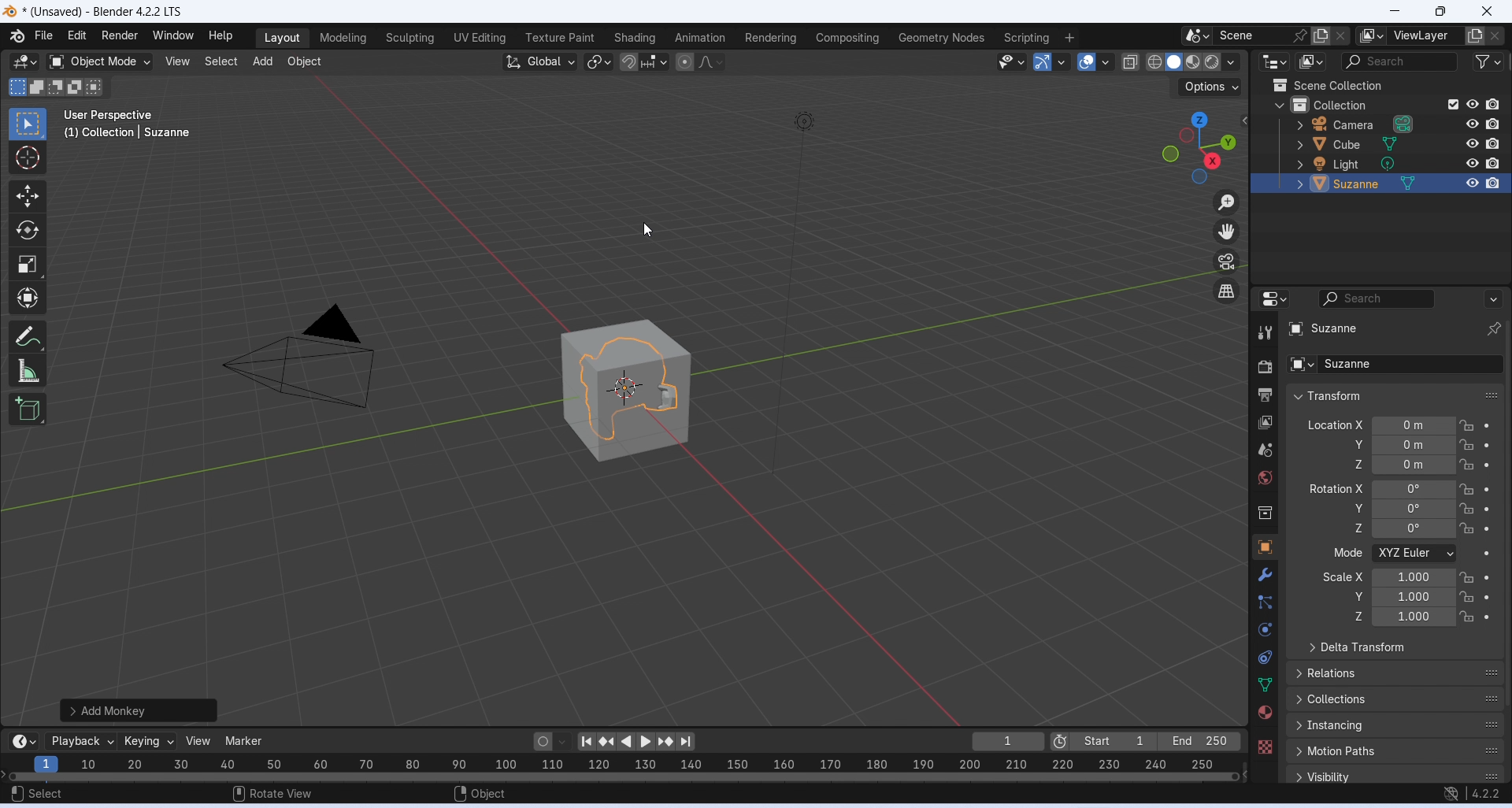 This screenshot has width=1512, height=808. Describe the element at coordinates (1059, 743) in the screenshot. I see `use preview range` at that location.